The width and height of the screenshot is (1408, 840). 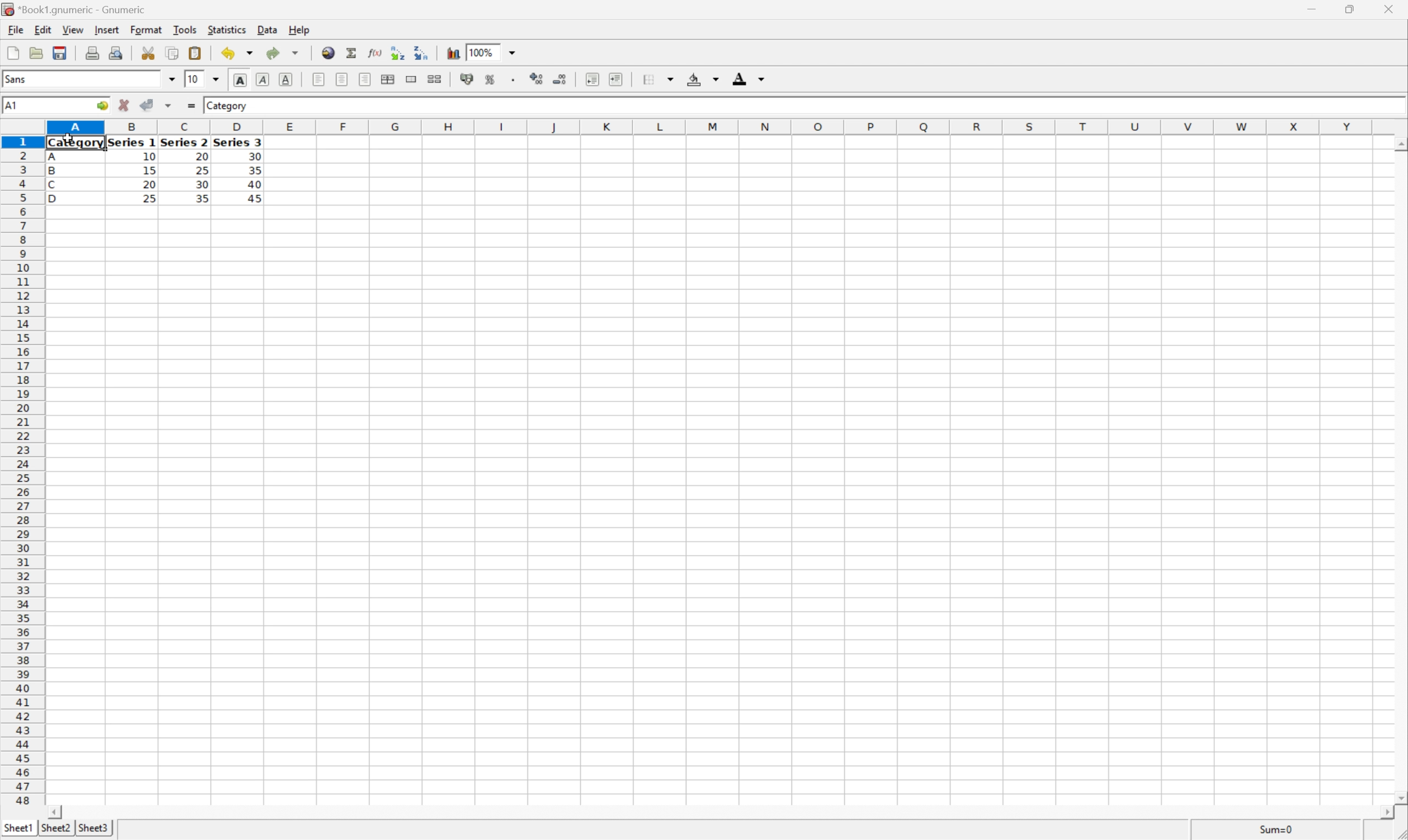 I want to click on Paste clipboard, so click(x=195, y=52).